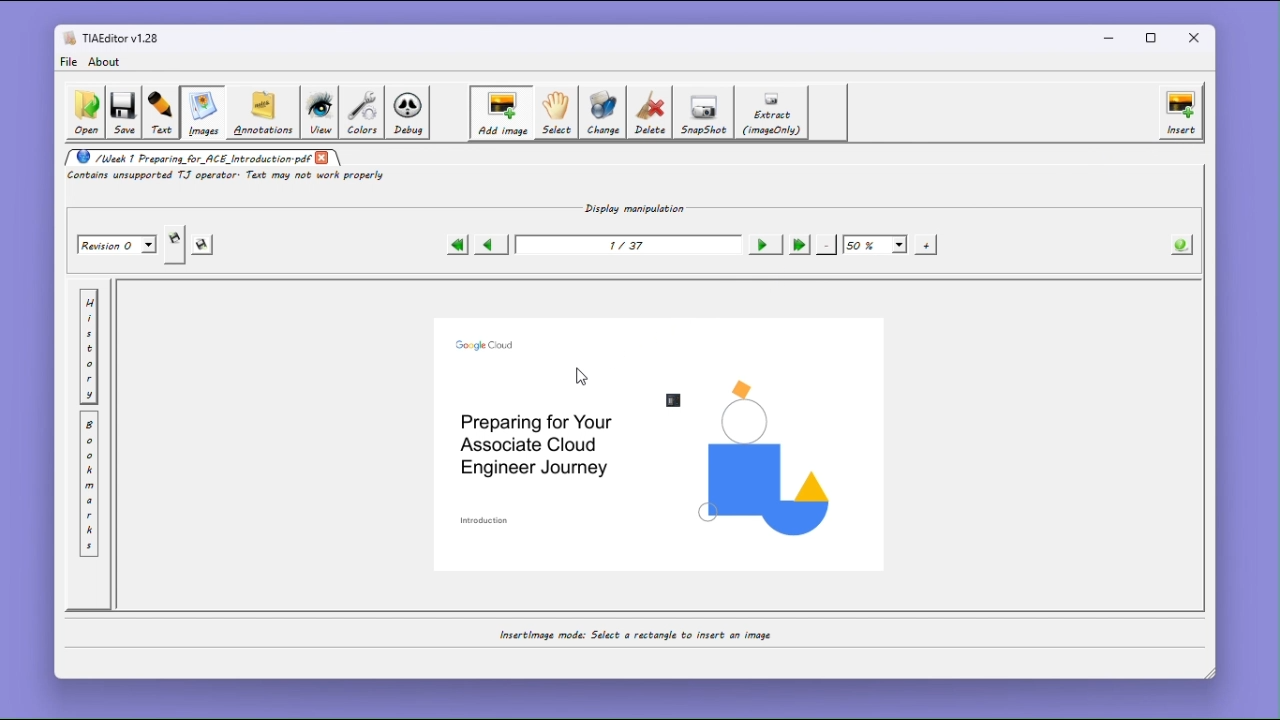  Describe the element at coordinates (323, 157) in the screenshot. I see `close` at that location.